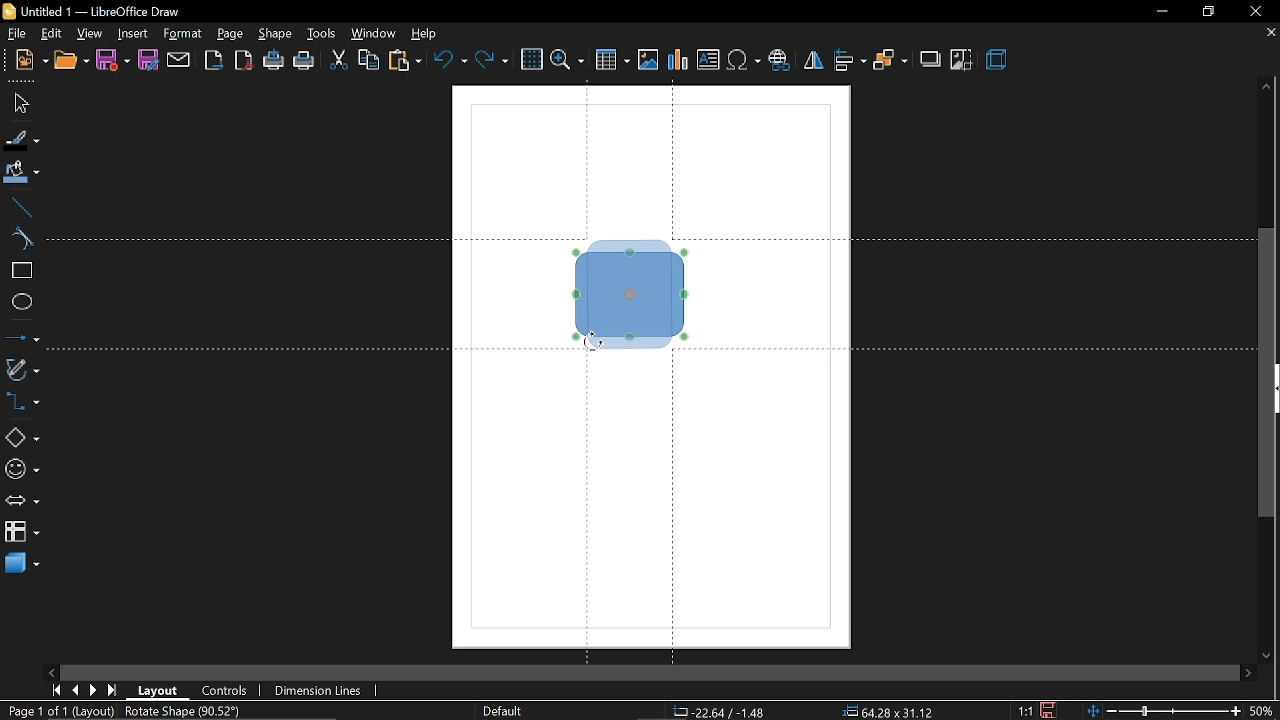  I want to click on window, so click(375, 34).